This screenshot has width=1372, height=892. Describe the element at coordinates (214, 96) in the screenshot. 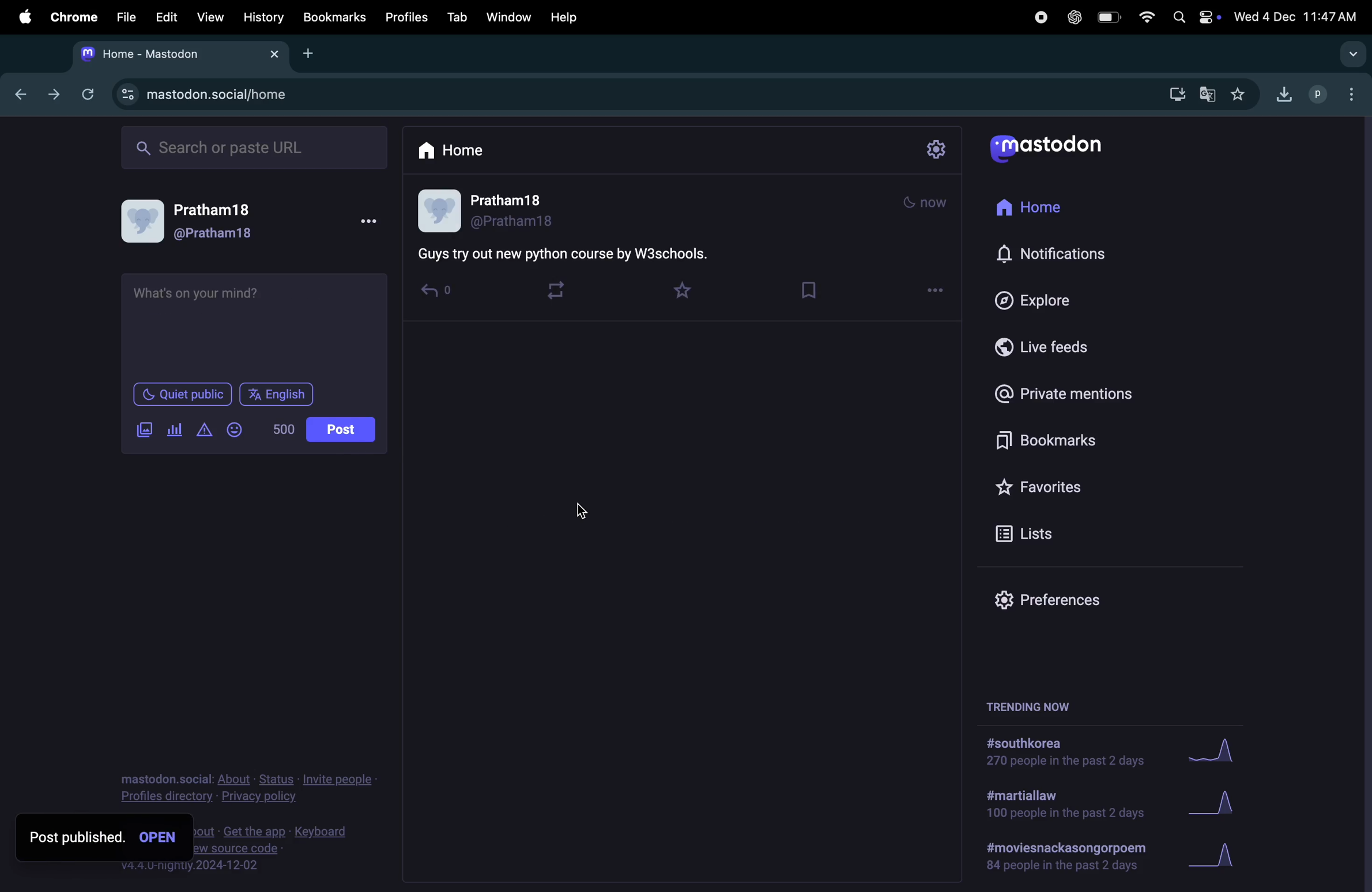

I see `mastodon social` at that location.